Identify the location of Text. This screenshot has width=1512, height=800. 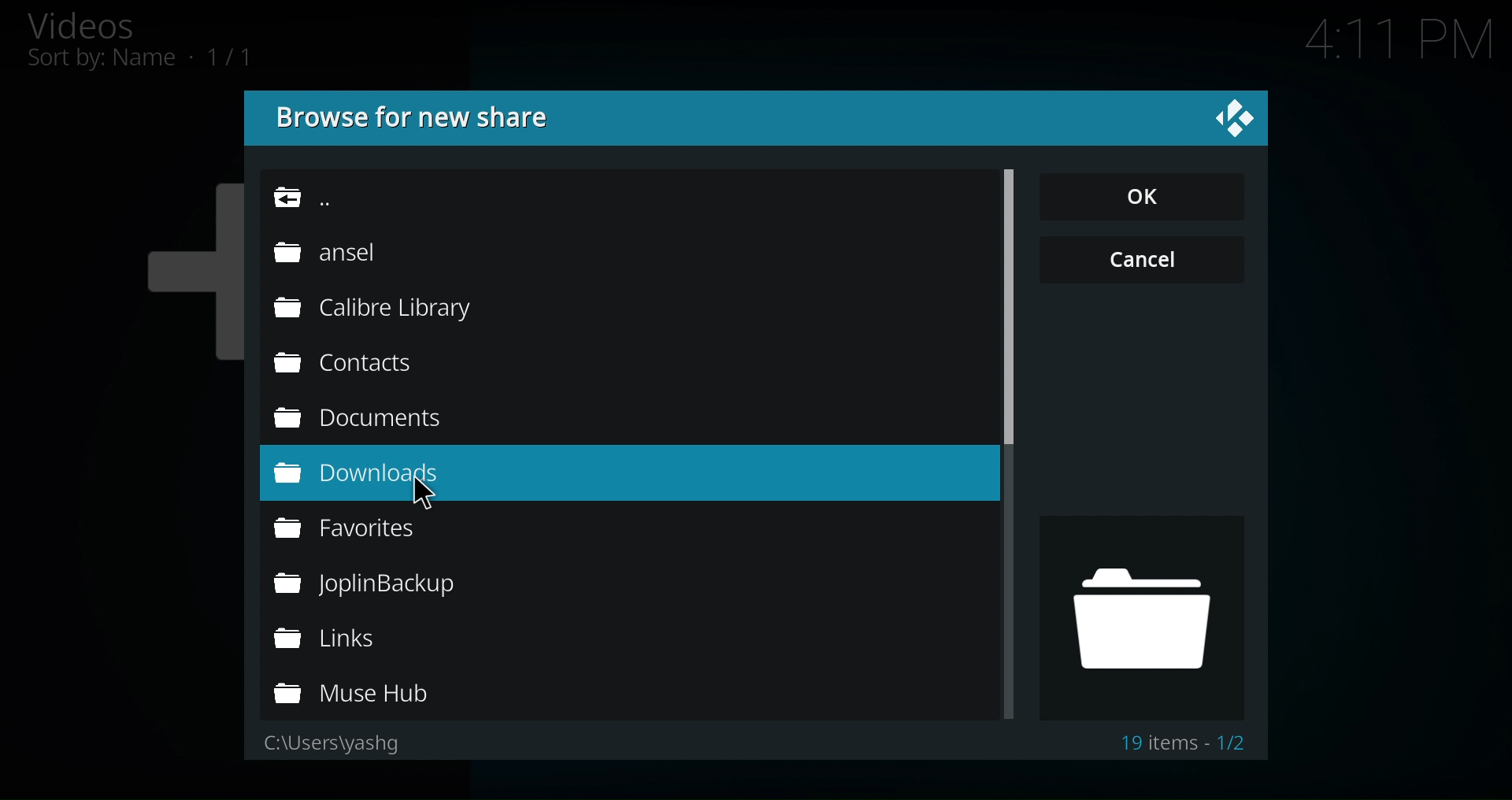
(1186, 741).